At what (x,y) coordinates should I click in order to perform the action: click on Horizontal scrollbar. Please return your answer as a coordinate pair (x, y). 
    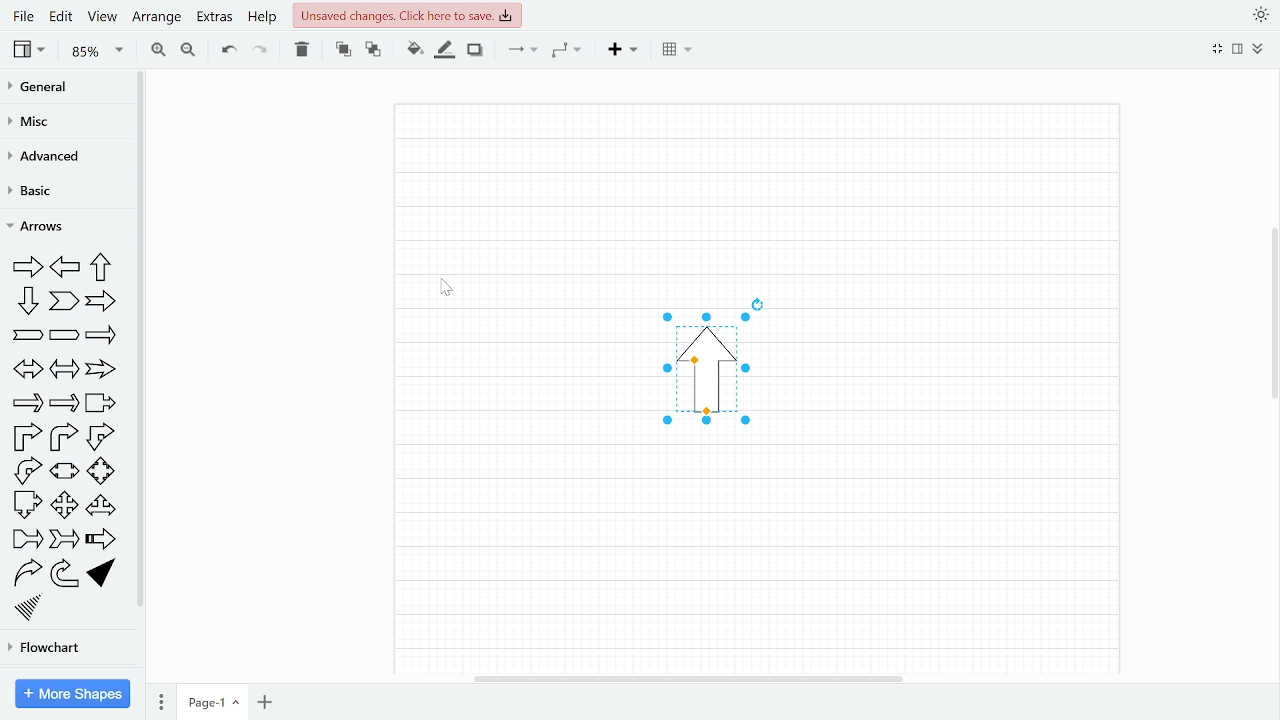
    Looking at the image, I should click on (690, 679).